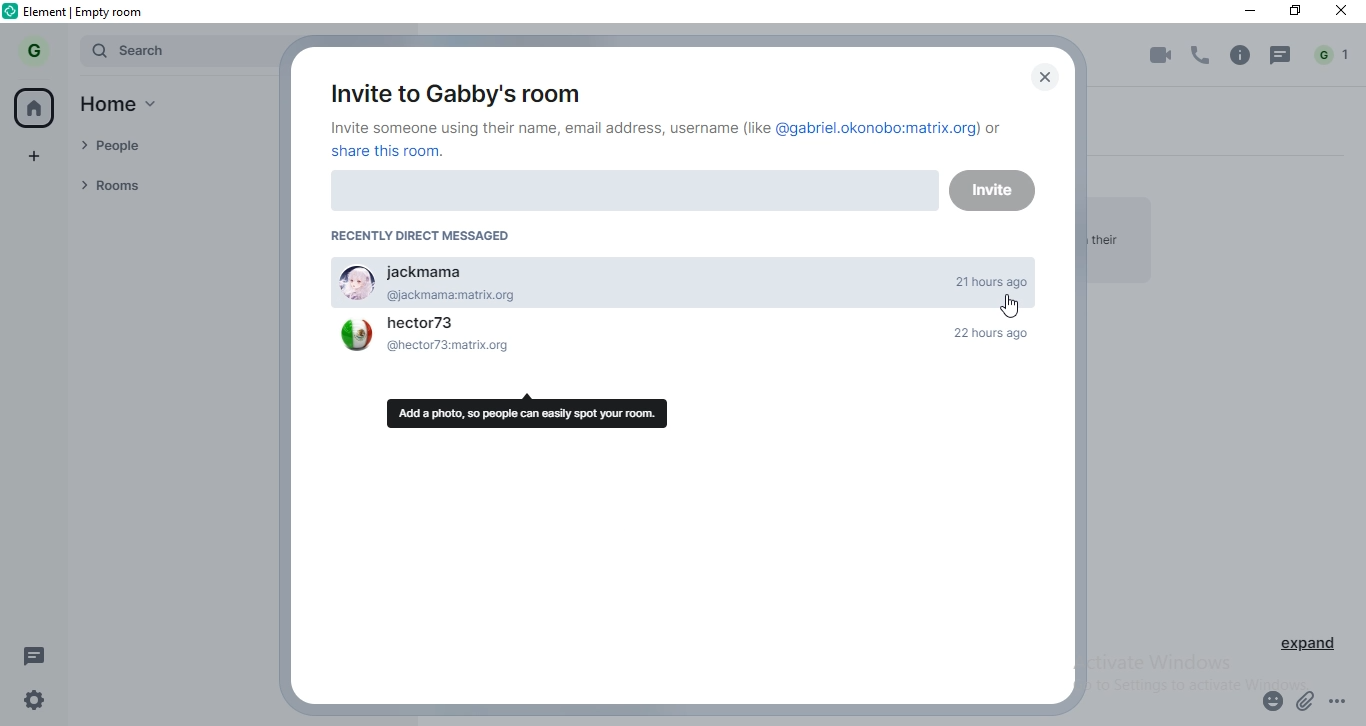  I want to click on input bar, so click(630, 195).